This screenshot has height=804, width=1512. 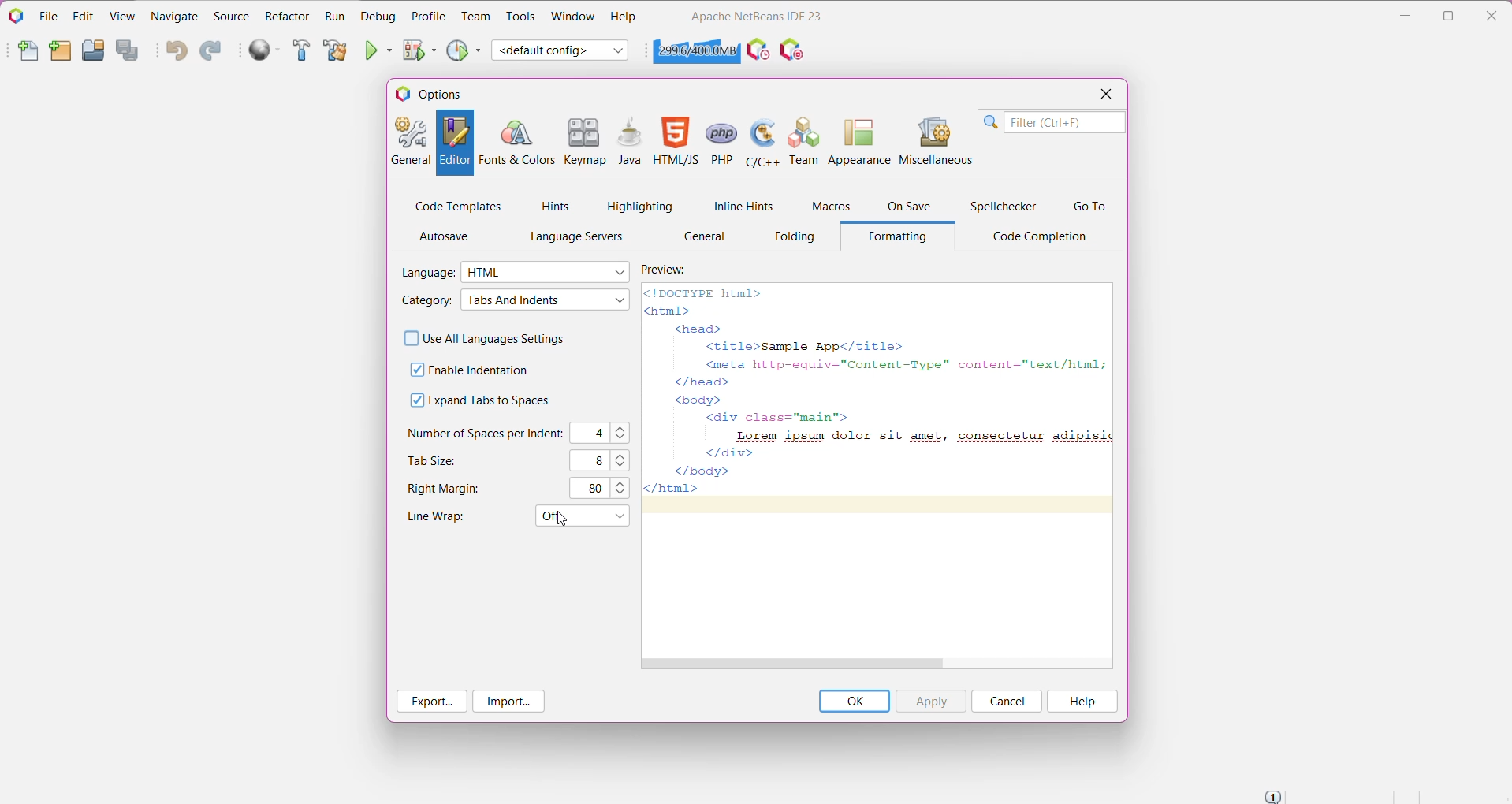 What do you see at coordinates (640, 206) in the screenshot?
I see `Highlighting` at bounding box center [640, 206].